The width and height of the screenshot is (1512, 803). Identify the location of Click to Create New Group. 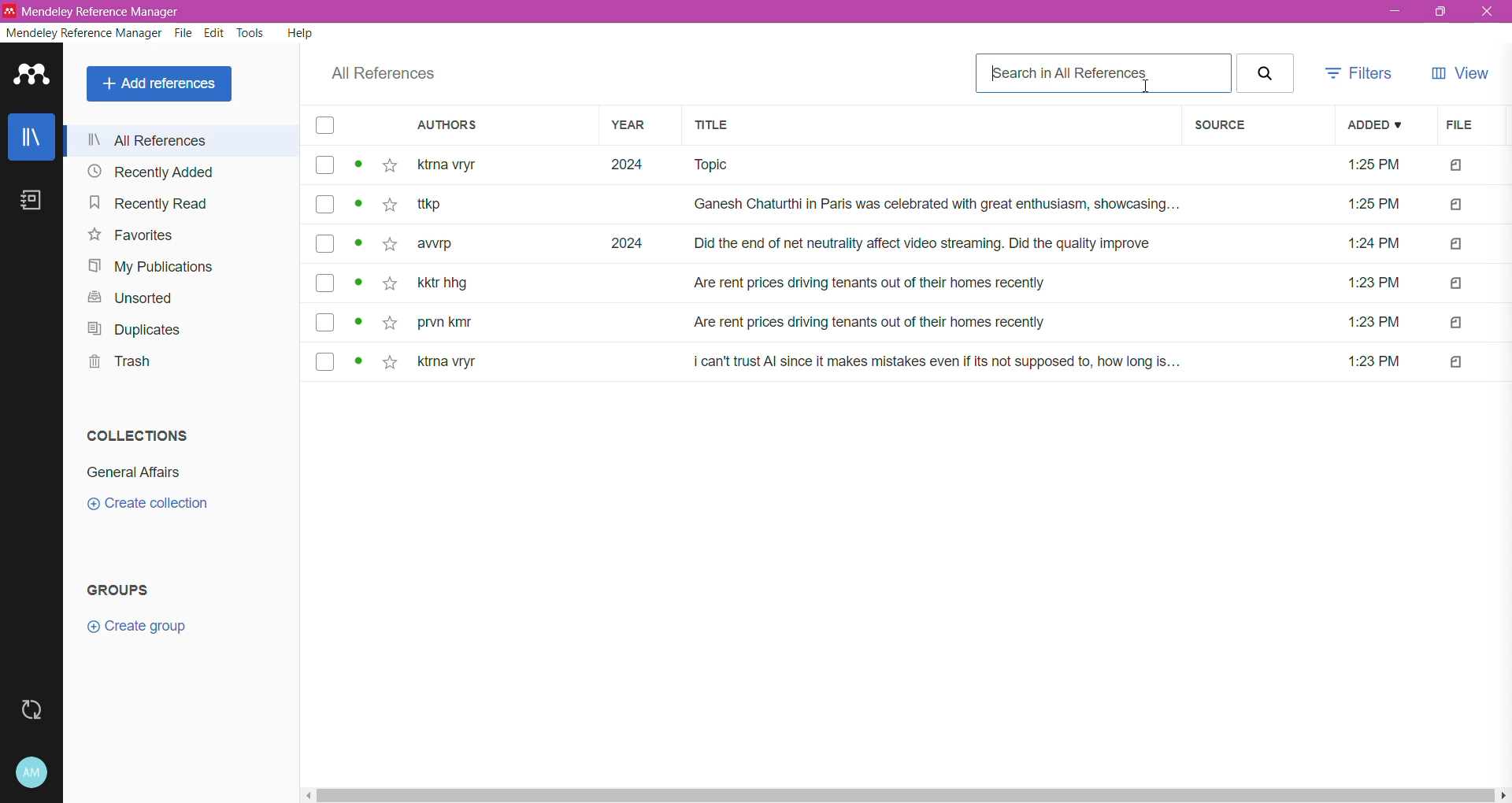
(162, 631).